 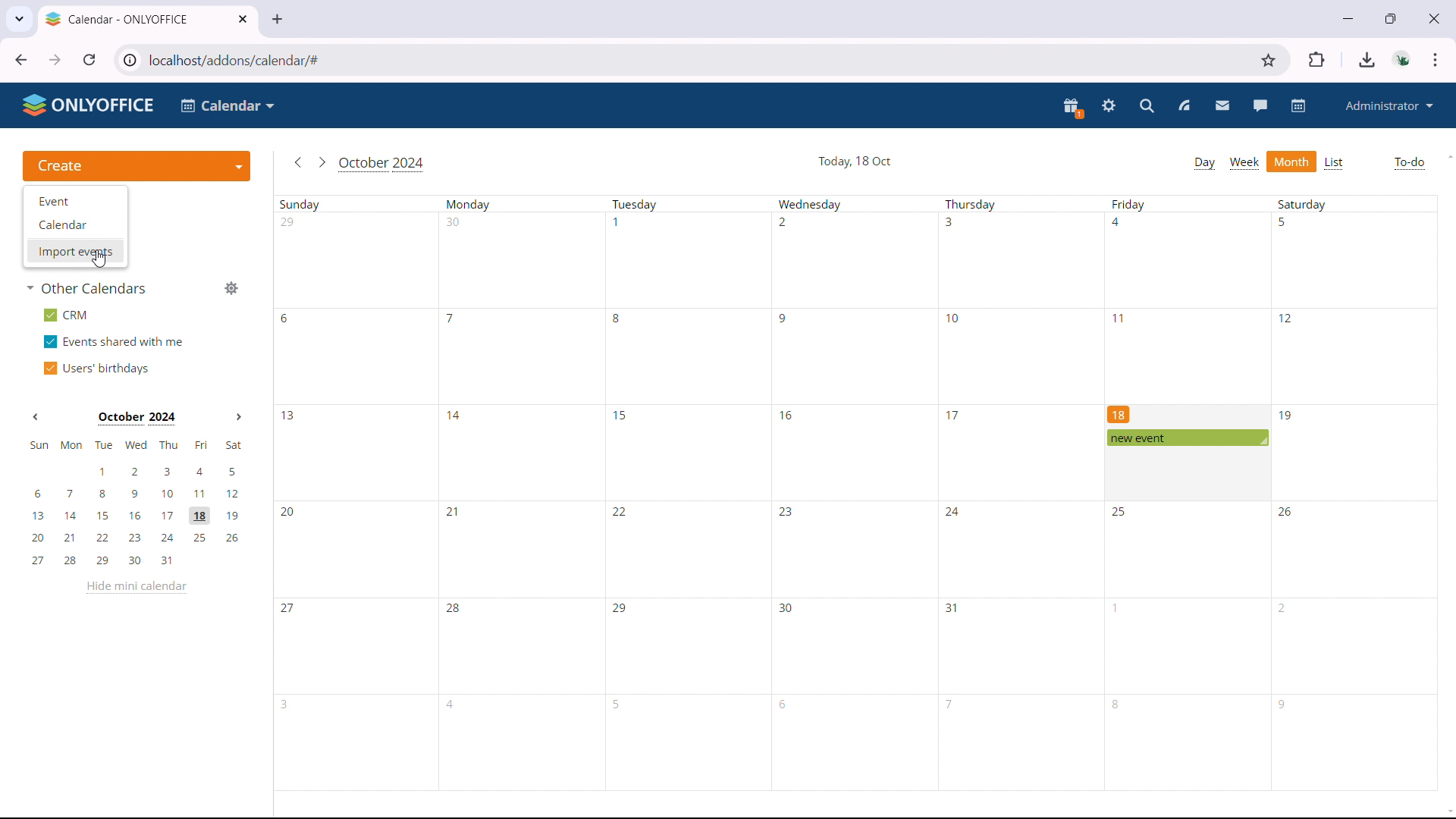 What do you see at coordinates (1186, 438) in the screenshot?
I see `scheduled event` at bounding box center [1186, 438].